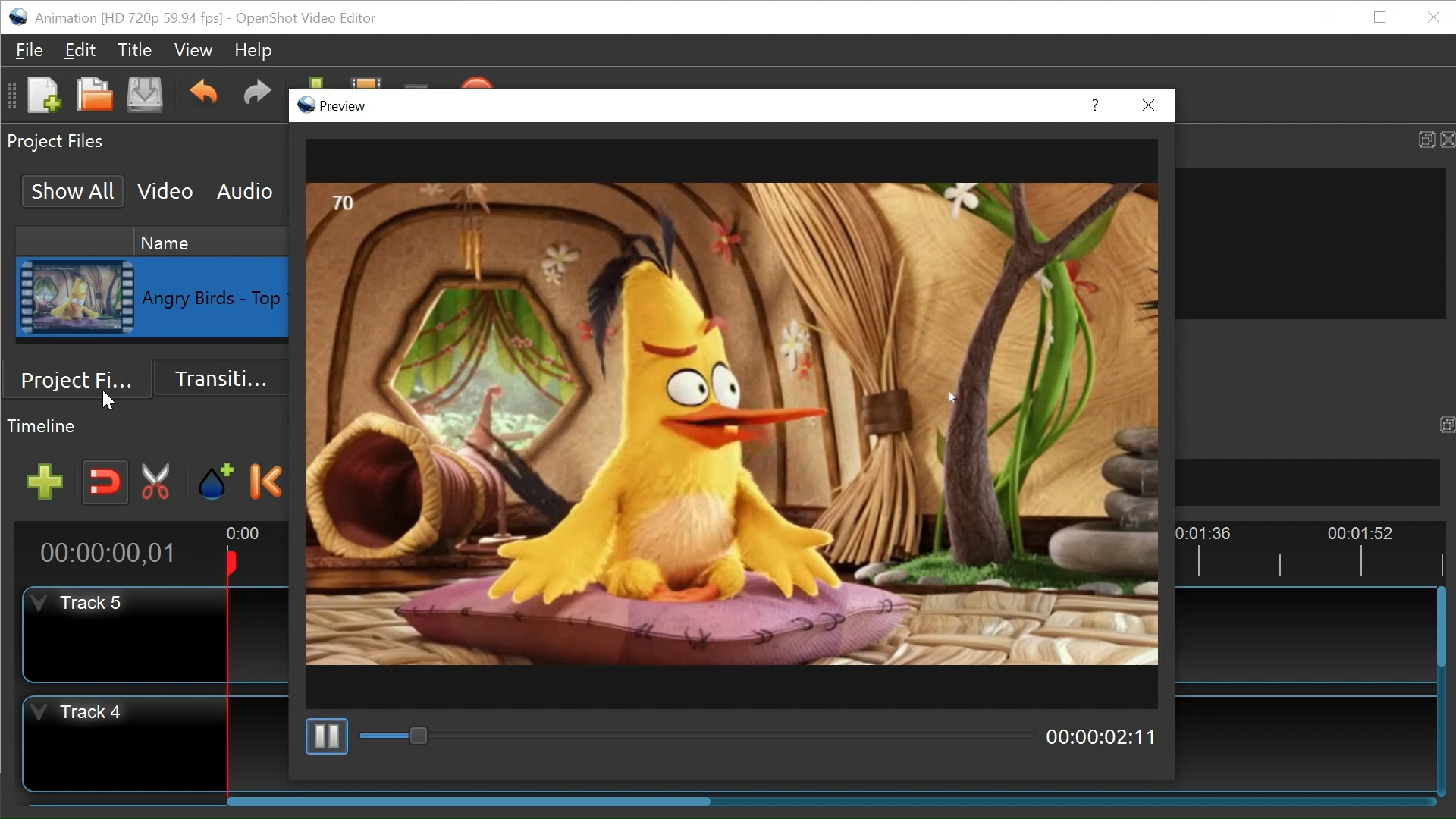  What do you see at coordinates (114, 400) in the screenshot?
I see `cursor` at bounding box center [114, 400].